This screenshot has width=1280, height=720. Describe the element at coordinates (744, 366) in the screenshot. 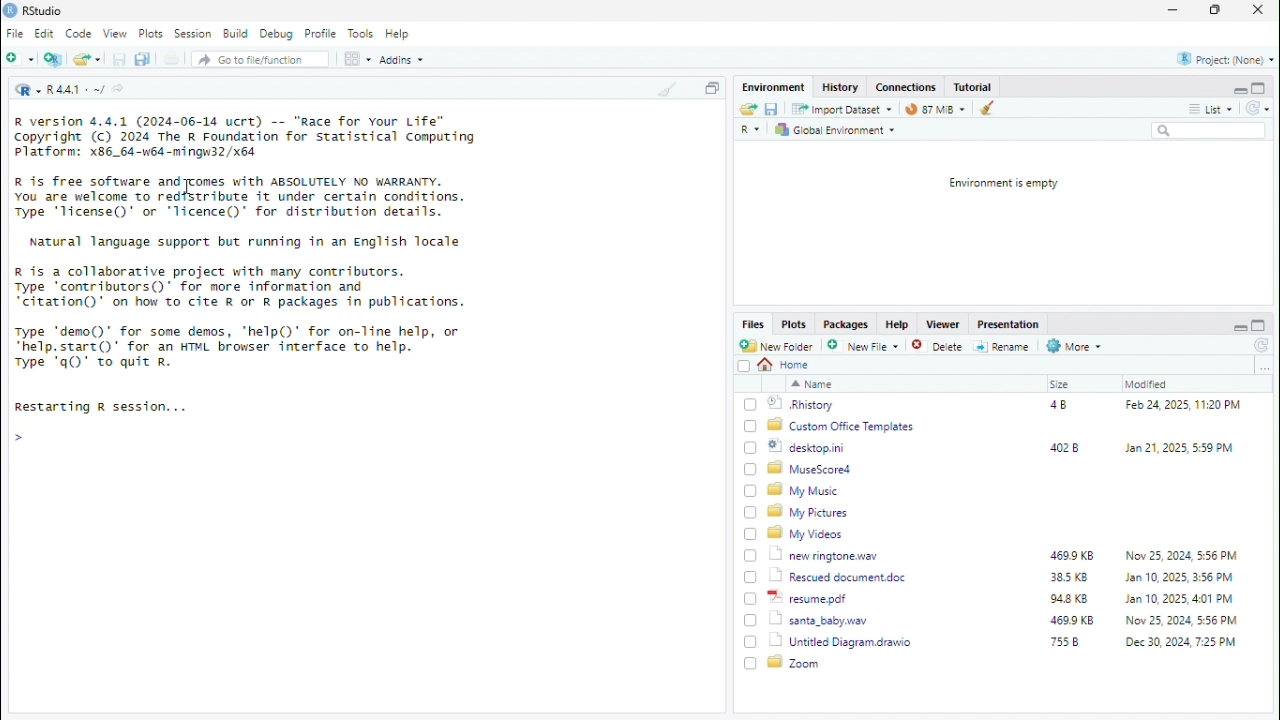

I see `Checkbox` at that location.